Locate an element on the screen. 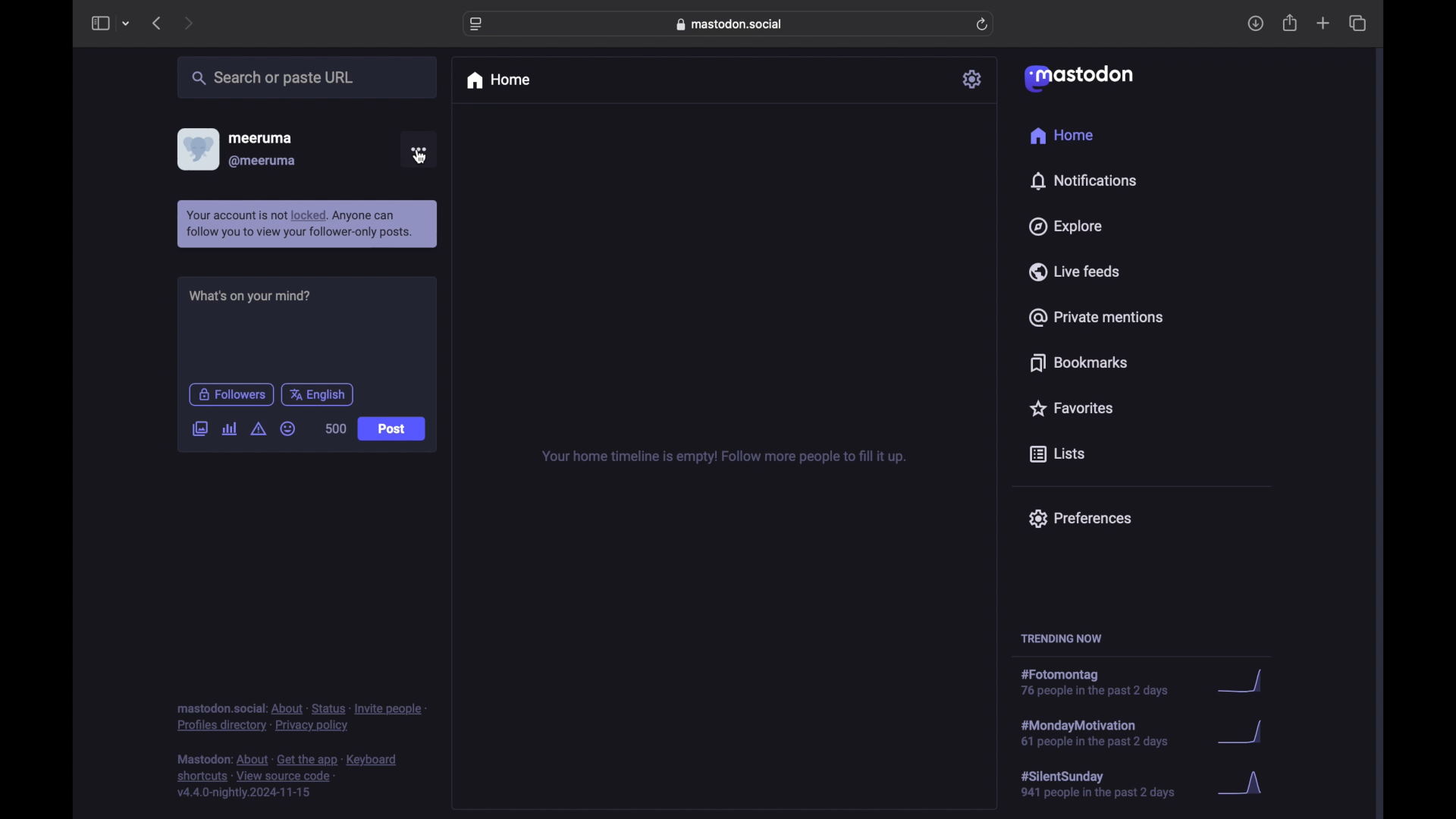 The image size is (1456, 819). add content warning is located at coordinates (259, 429).